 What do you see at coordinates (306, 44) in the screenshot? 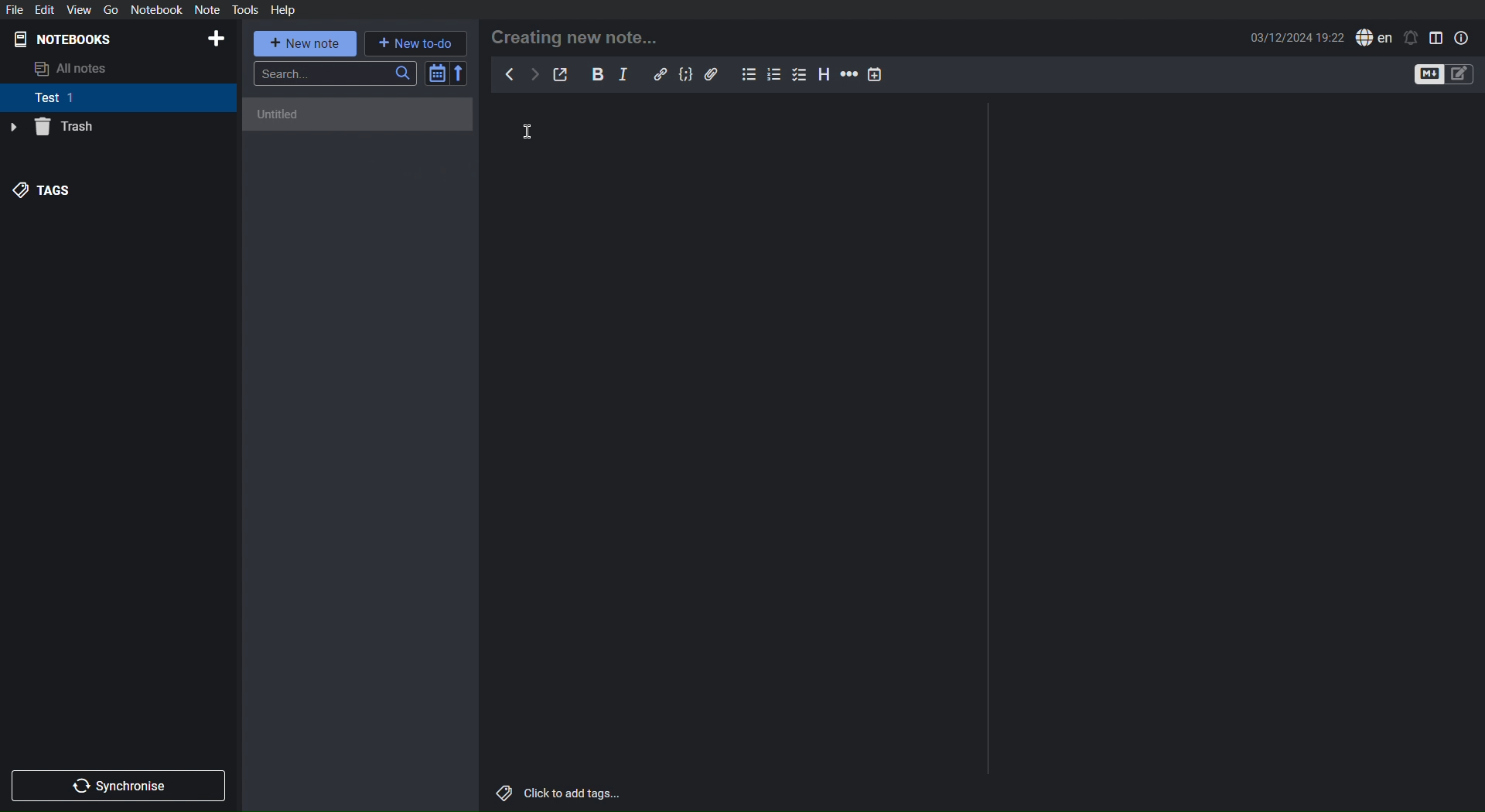
I see `New note` at bounding box center [306, 44].